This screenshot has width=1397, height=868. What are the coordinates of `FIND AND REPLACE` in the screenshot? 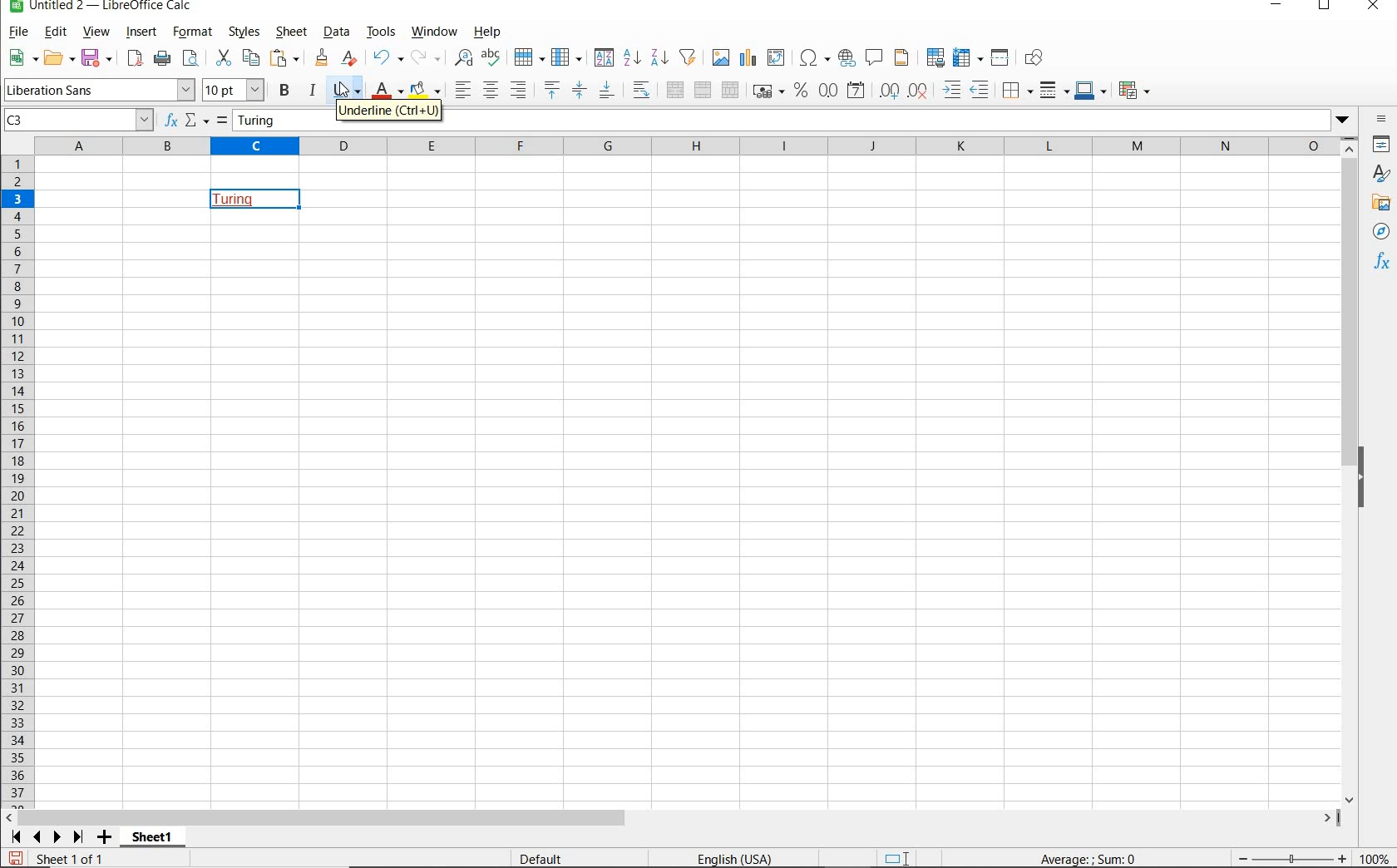 It's located at (463, 59).